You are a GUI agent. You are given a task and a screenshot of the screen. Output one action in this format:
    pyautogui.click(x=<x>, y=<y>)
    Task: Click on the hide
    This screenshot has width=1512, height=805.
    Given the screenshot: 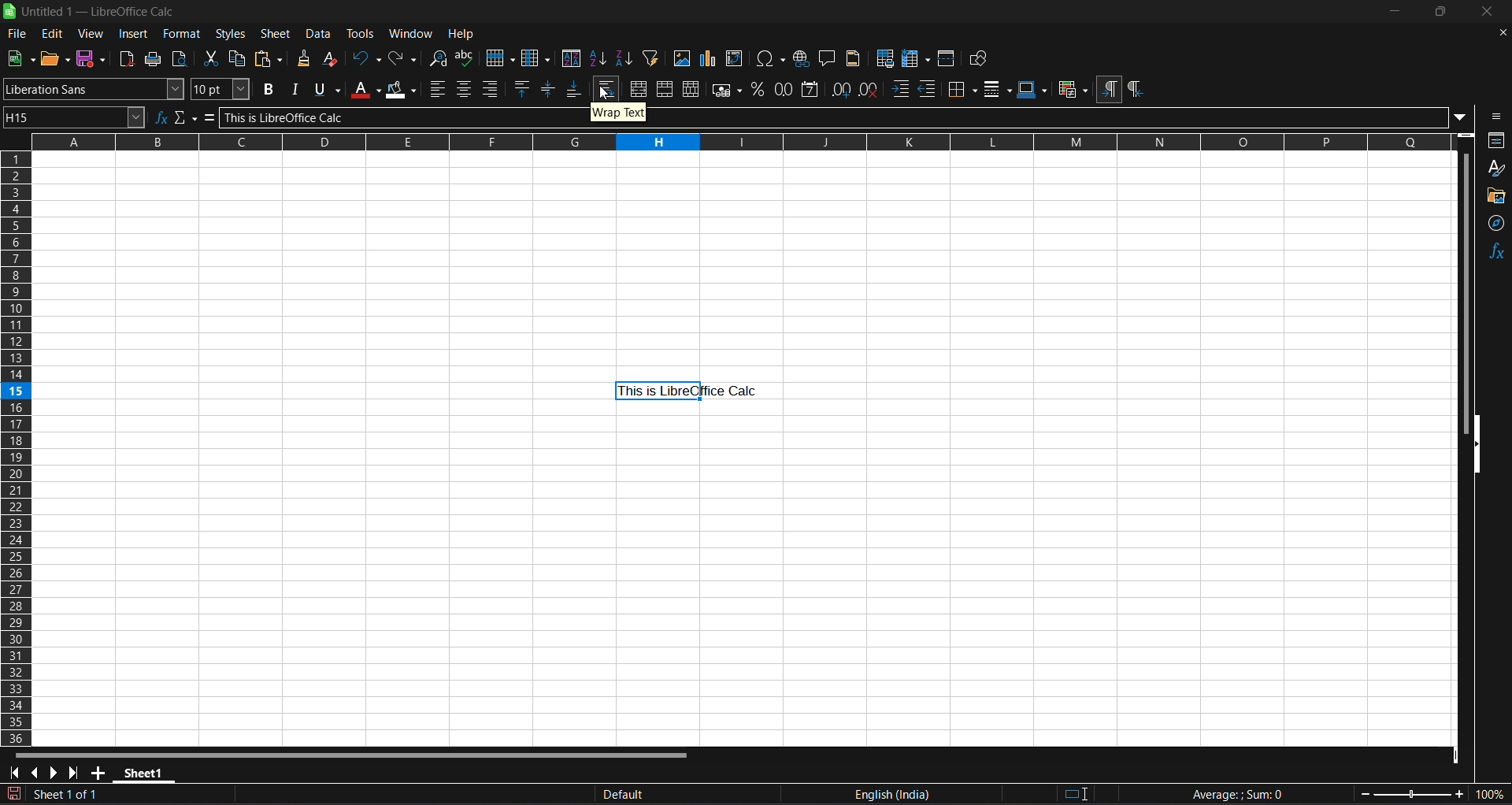 What is the action you would take?
    pyautogui.click(x=1472, y=442)
    